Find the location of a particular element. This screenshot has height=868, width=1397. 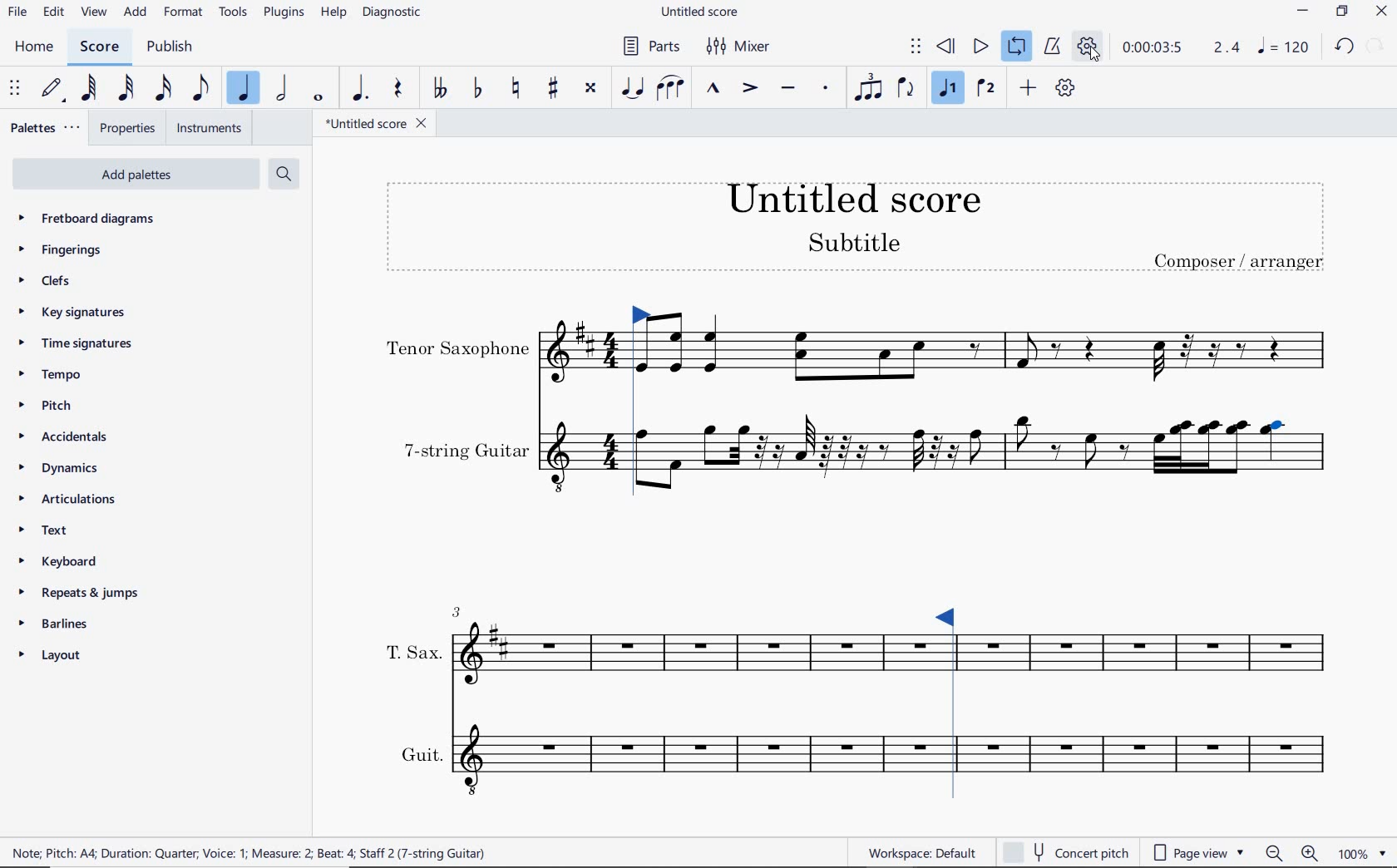

HALF NOTE is located at coordinates (279, 89).